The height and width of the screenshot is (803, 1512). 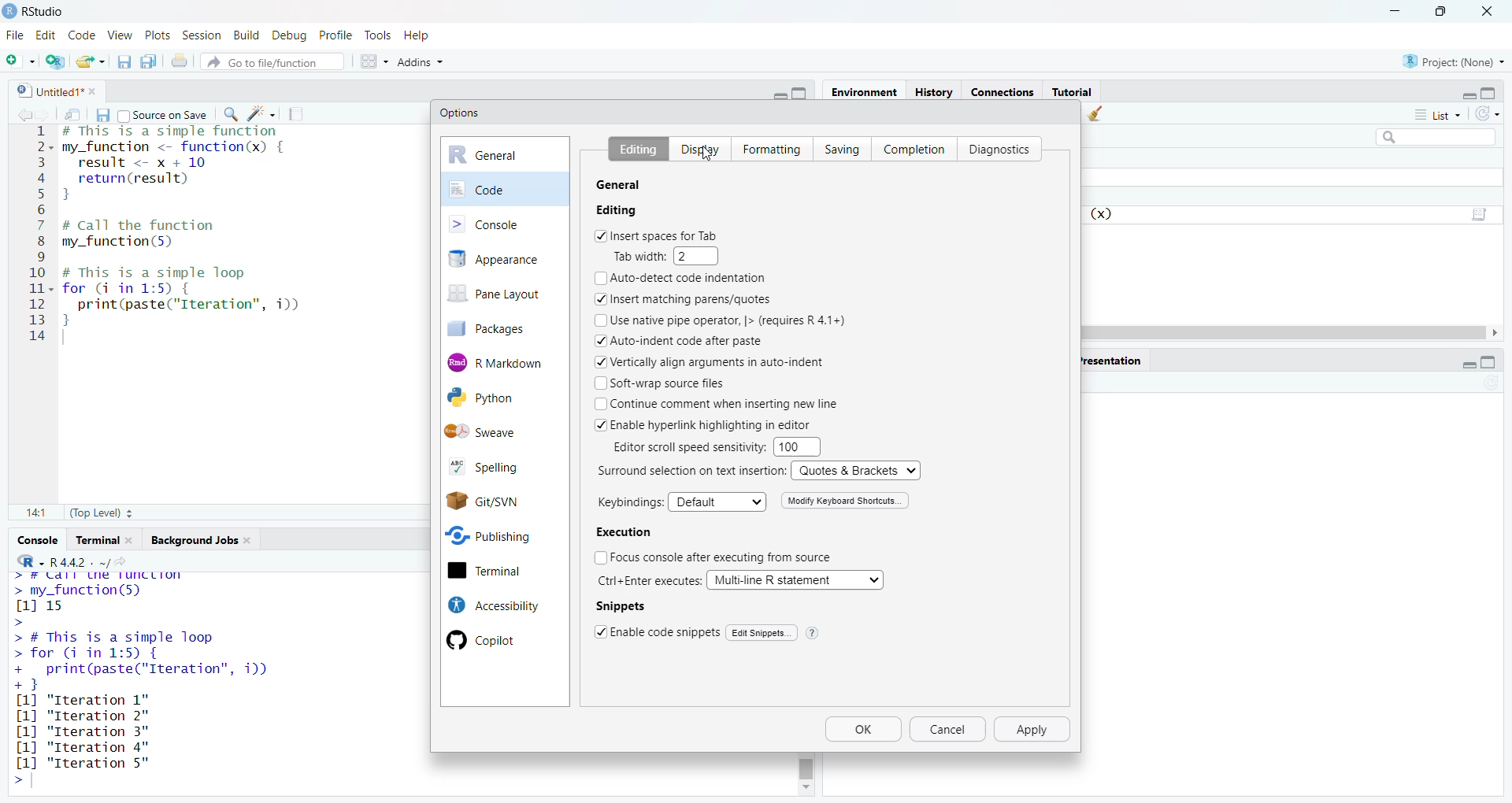 I want to click on Options, so click(x=461, y=113).